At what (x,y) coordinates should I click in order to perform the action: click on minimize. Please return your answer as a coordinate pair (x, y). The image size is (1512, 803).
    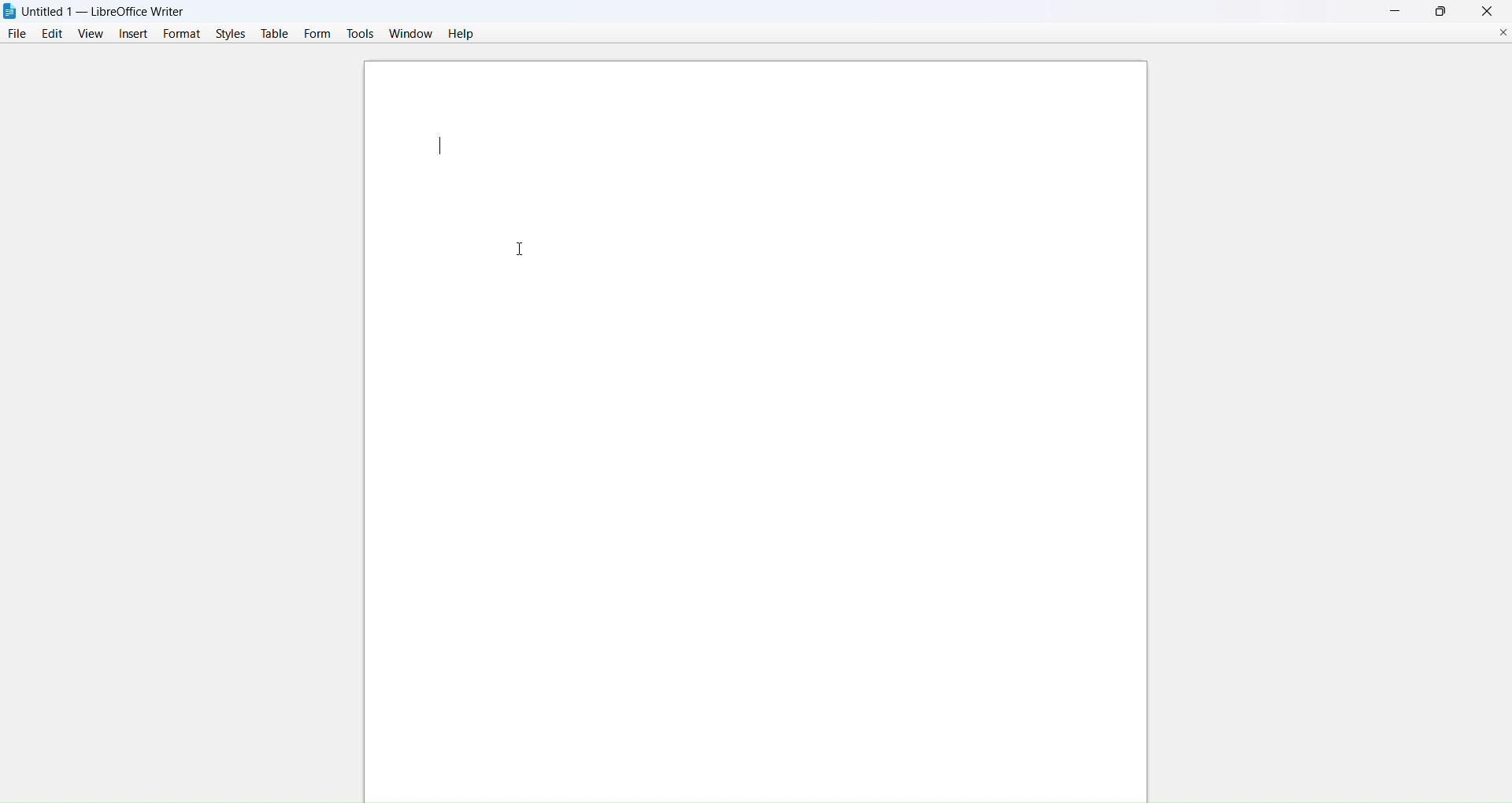
    Looking at the image, I should click on (1399, 11).